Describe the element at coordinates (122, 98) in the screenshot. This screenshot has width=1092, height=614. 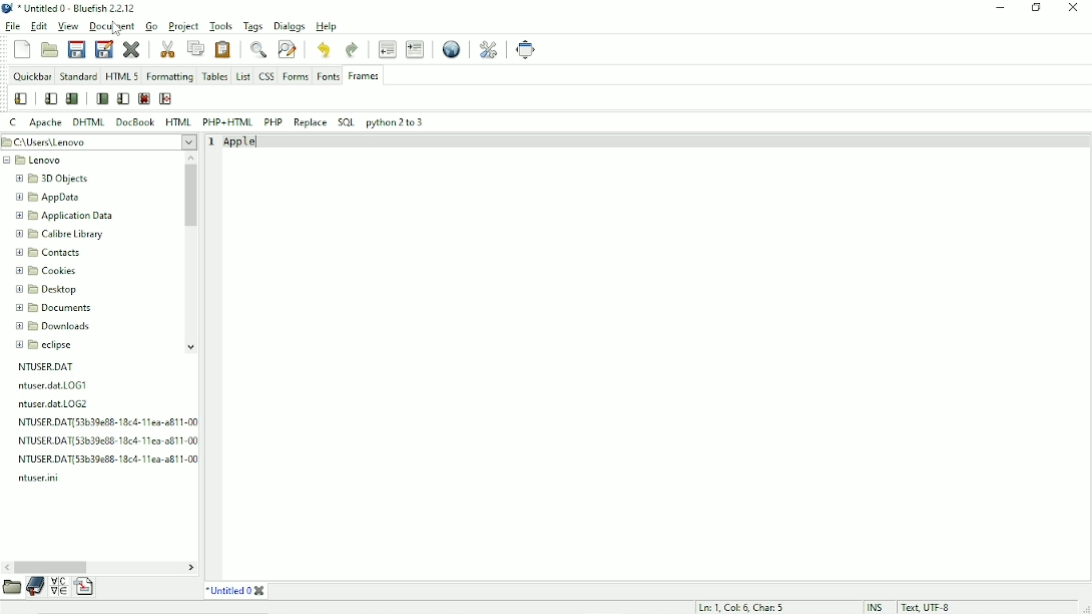
I see `Frameset` at that location.